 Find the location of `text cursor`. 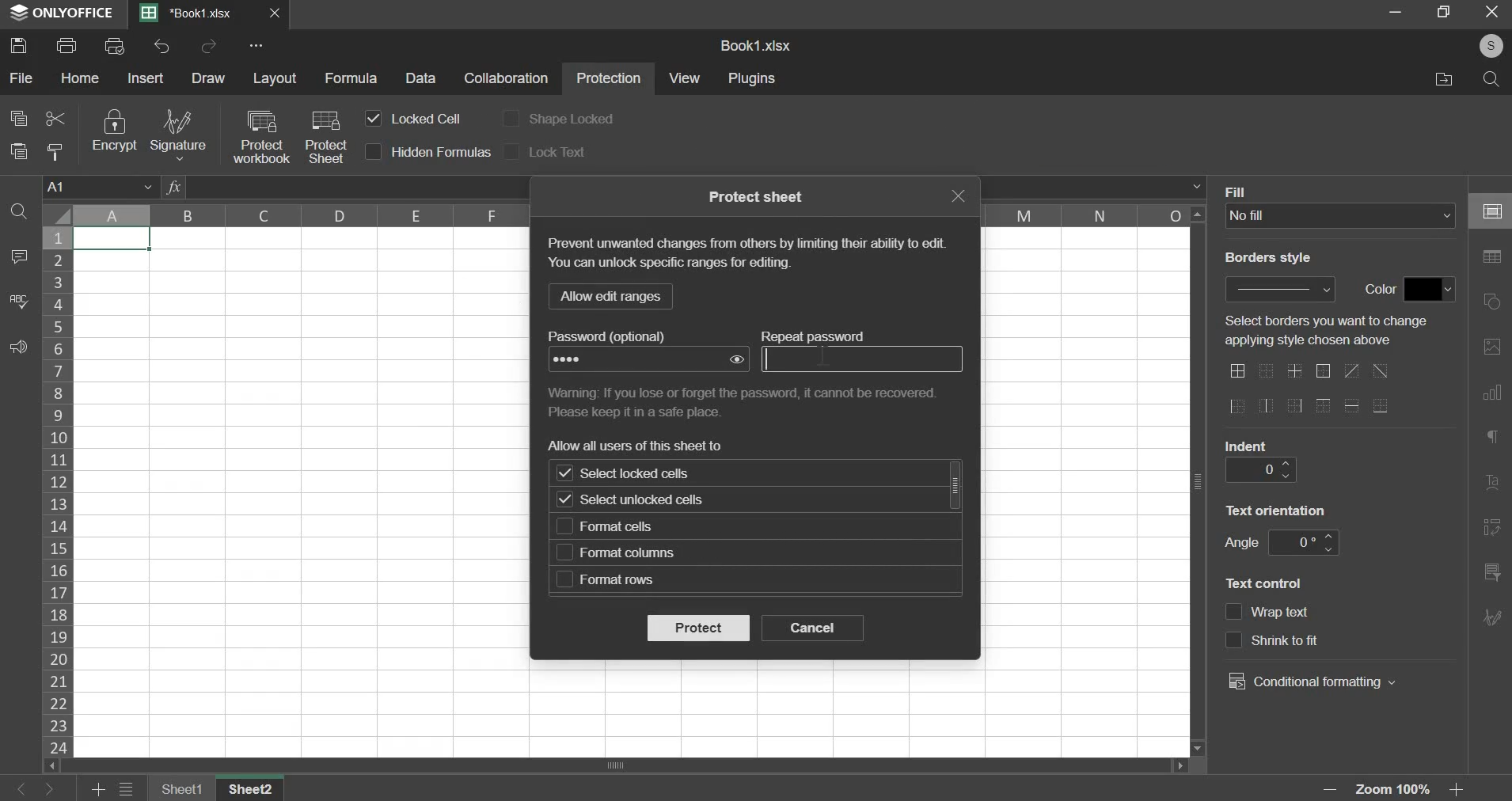

text cursor is located at coordinates (825, 357).